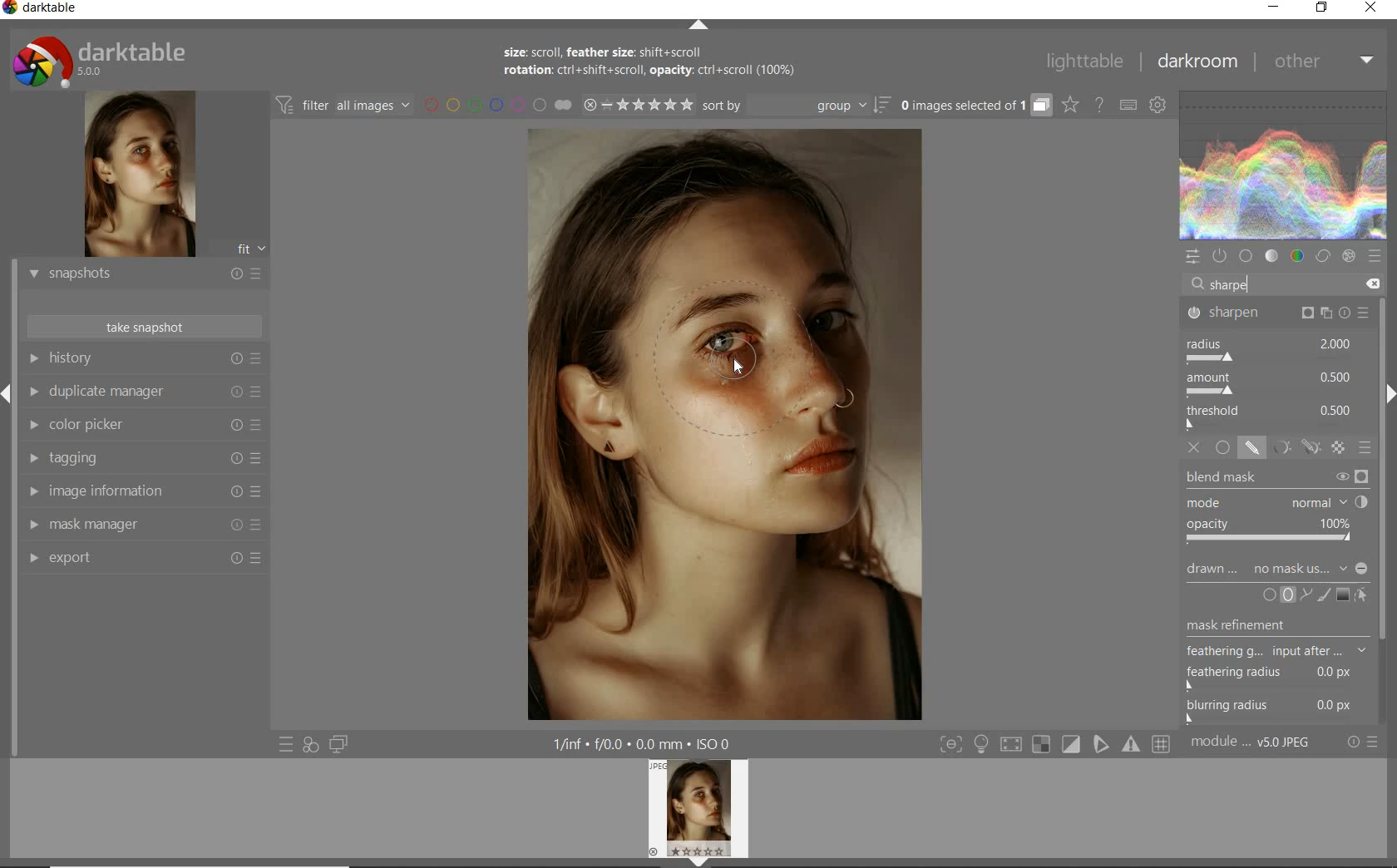  What do you see at coordinates (1222, 256) in the screenshot?
I see `show only active modules` at bounding box center [1222, 256].